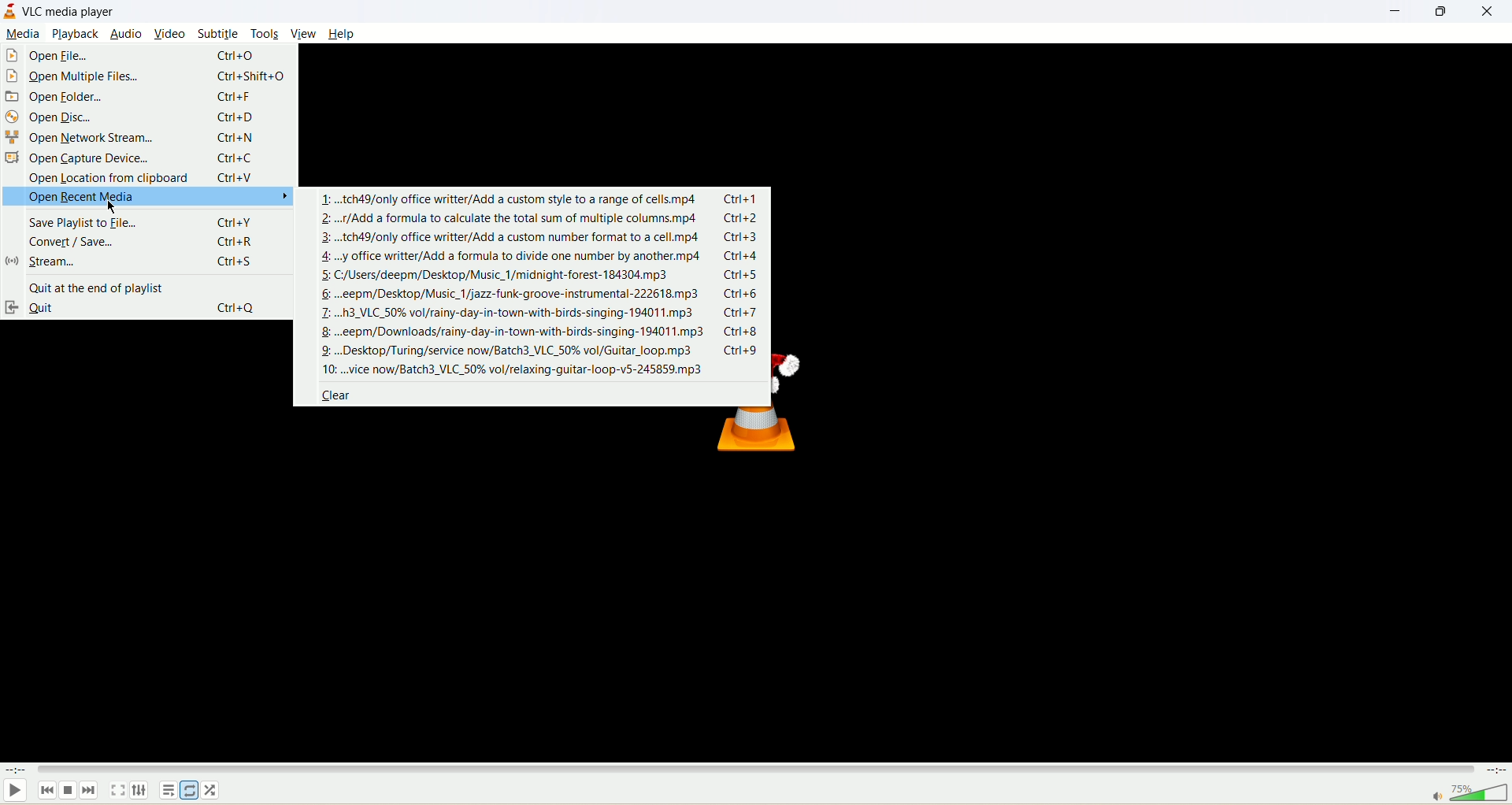  Describe the element at coordinates (745, 351) in the screenshot. I see `ctrl+9` at that location.